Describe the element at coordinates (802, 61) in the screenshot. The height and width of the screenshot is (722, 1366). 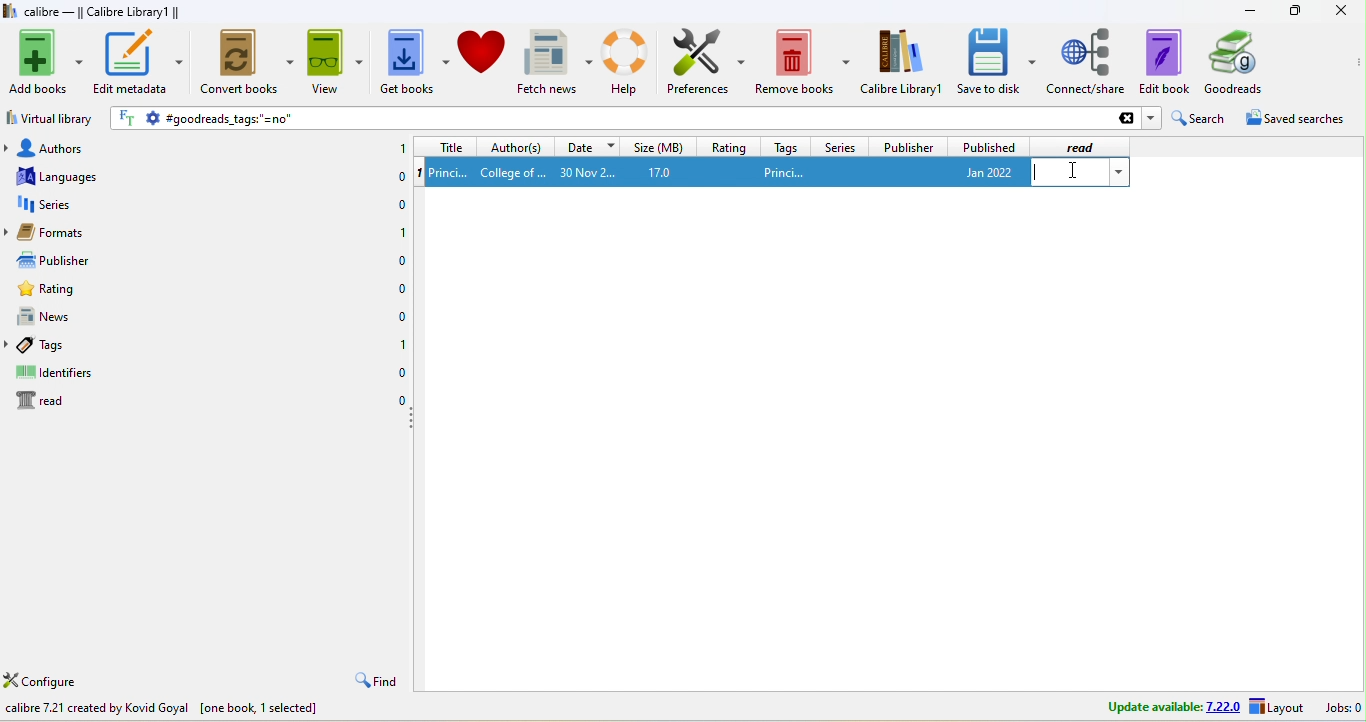
I see `remove books` at that location.